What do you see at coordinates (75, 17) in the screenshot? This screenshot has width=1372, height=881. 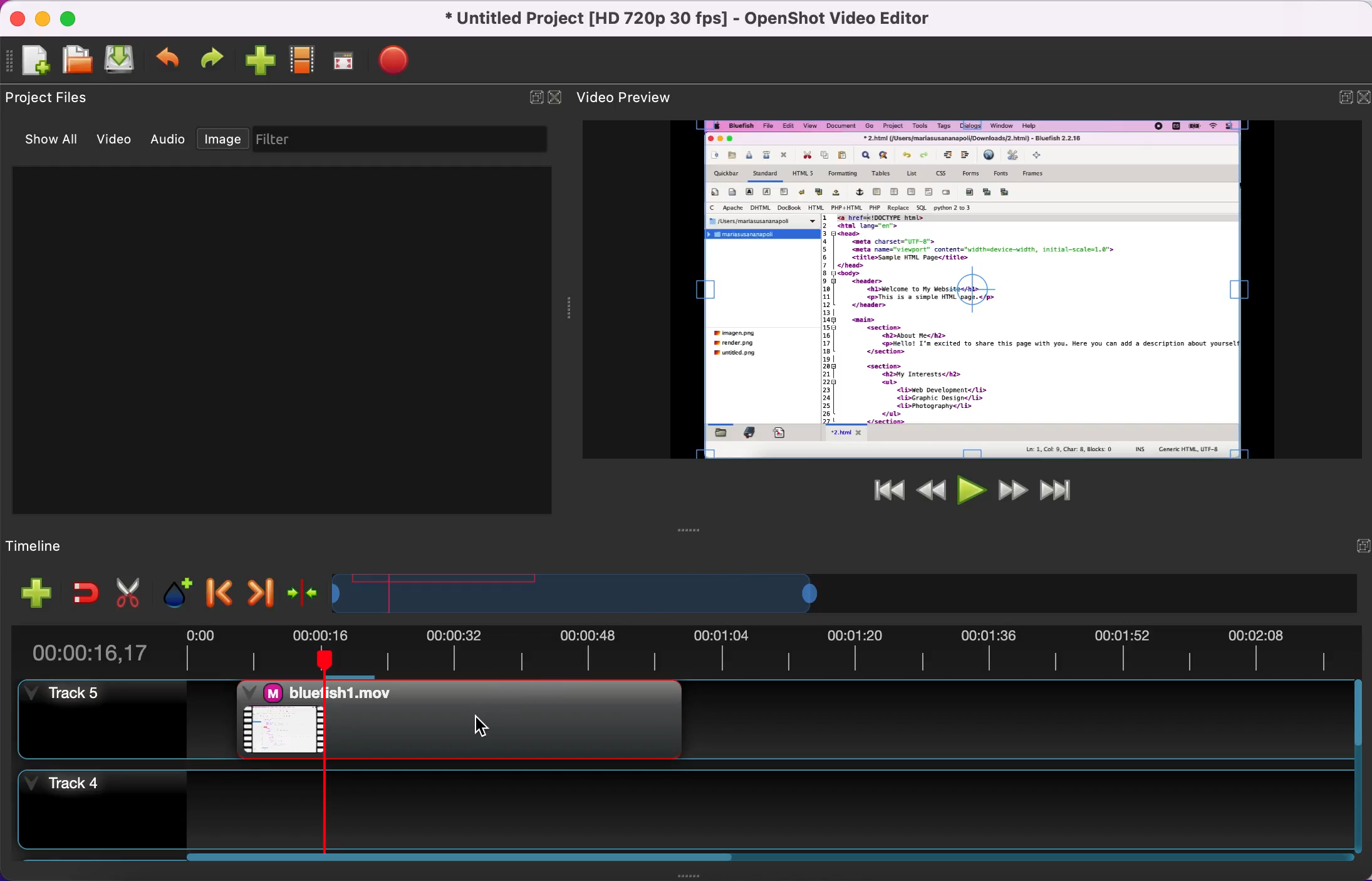 I see `maximize` at bounding box center [75, 17].